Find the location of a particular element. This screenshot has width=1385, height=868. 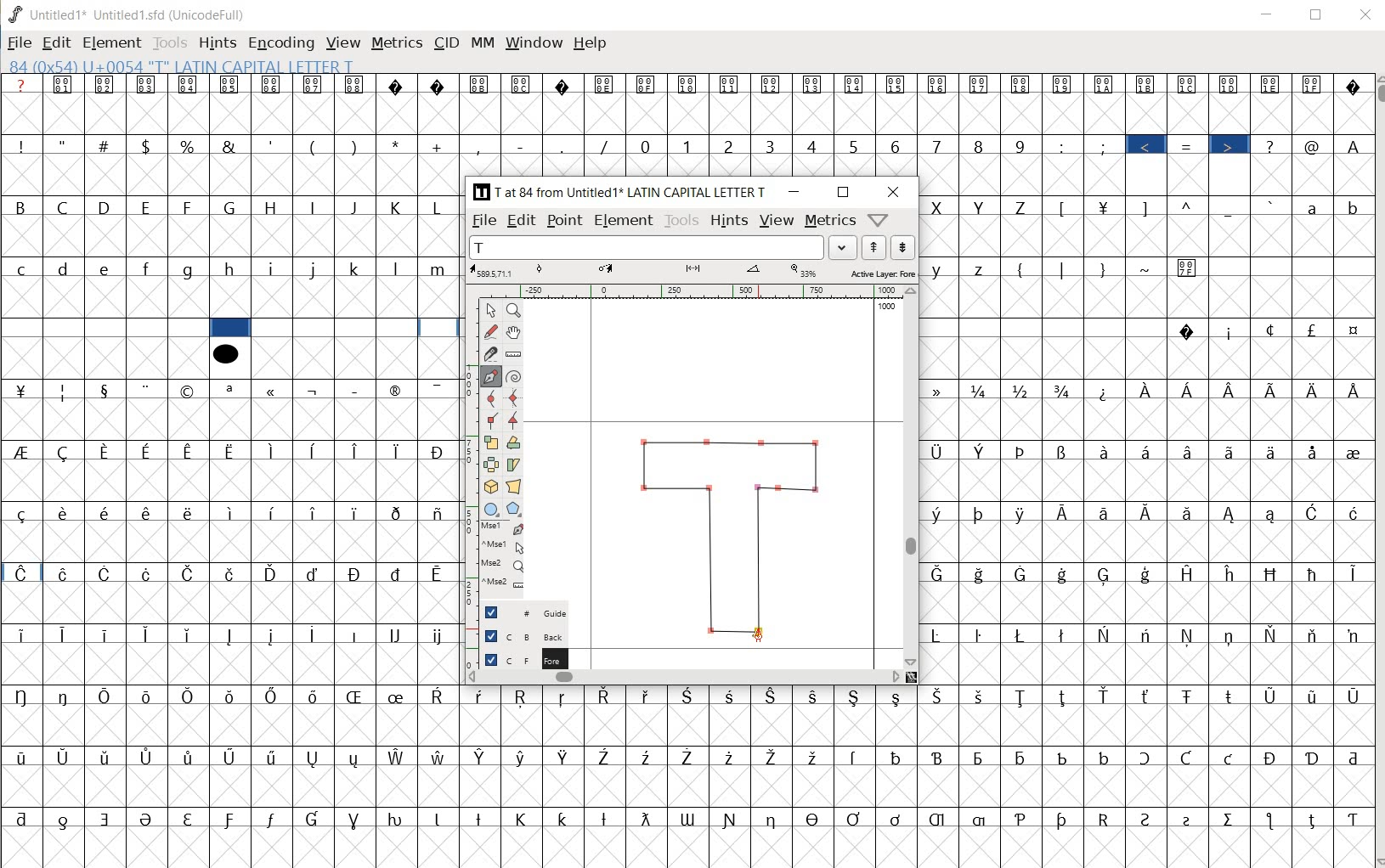

B is located at coordinates (22, 208).